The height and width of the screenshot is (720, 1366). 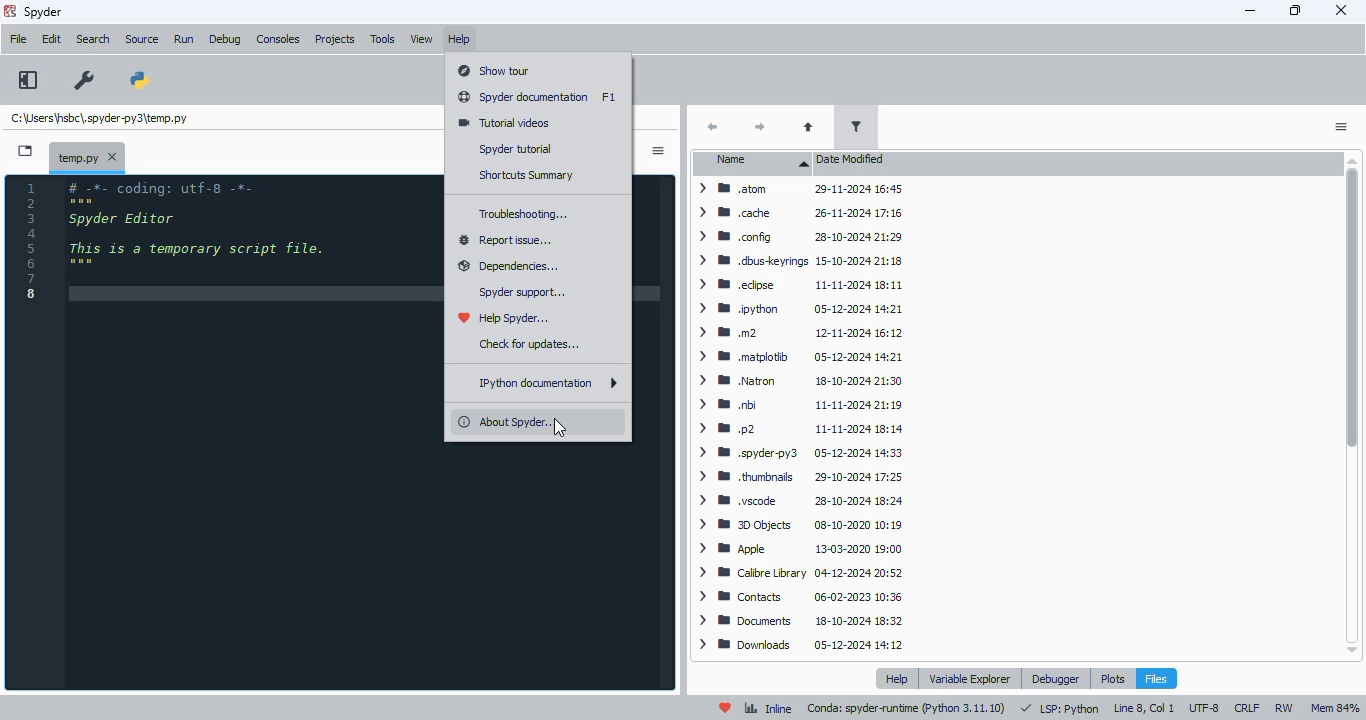 I want to click on shortcut for spyder documentation, so click(x=610, y=97).